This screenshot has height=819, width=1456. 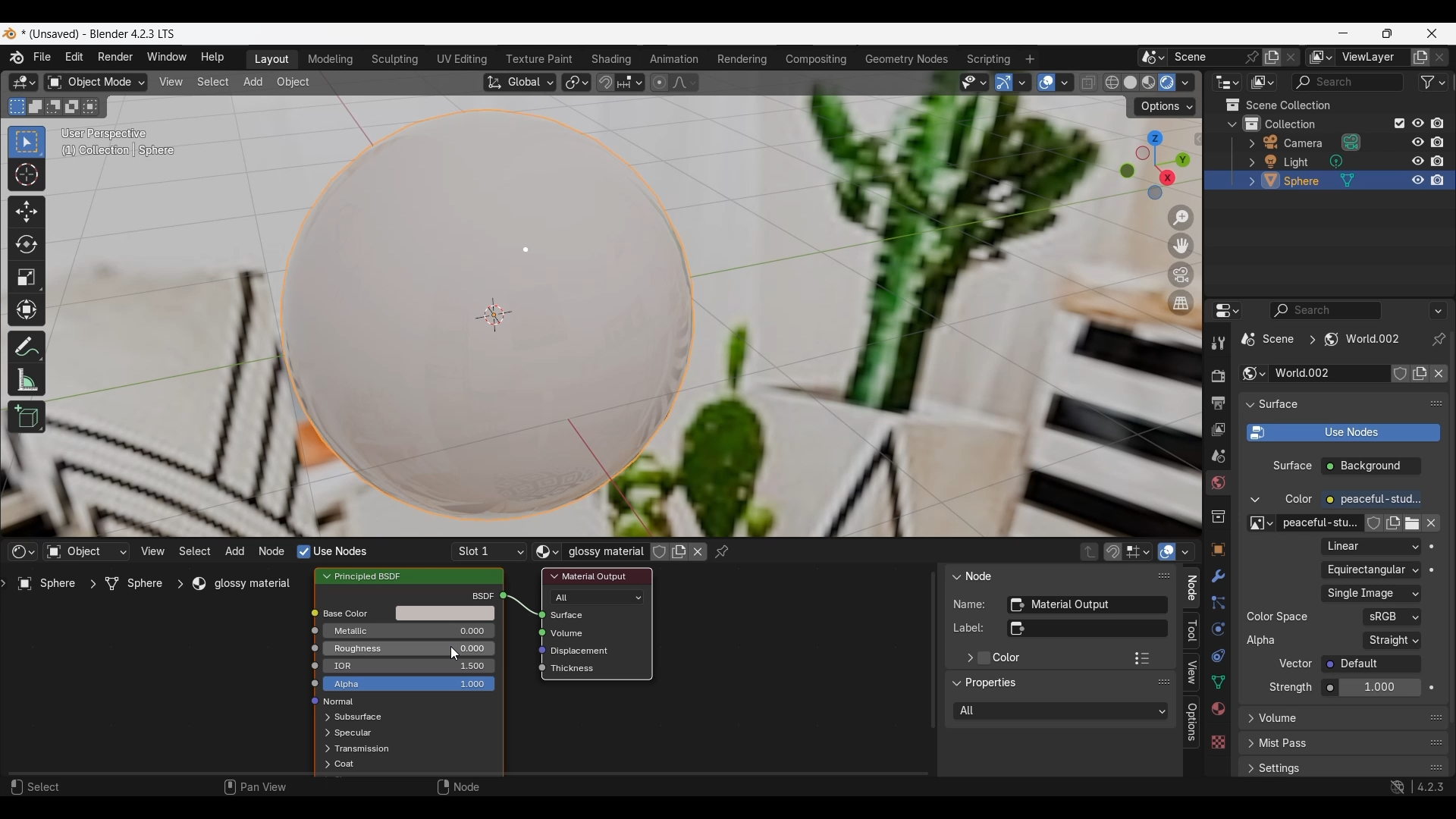 What do you see at coordinates (605, 551) in the screenshot?
I see `Glossy material` at bounding box center [605, 551].